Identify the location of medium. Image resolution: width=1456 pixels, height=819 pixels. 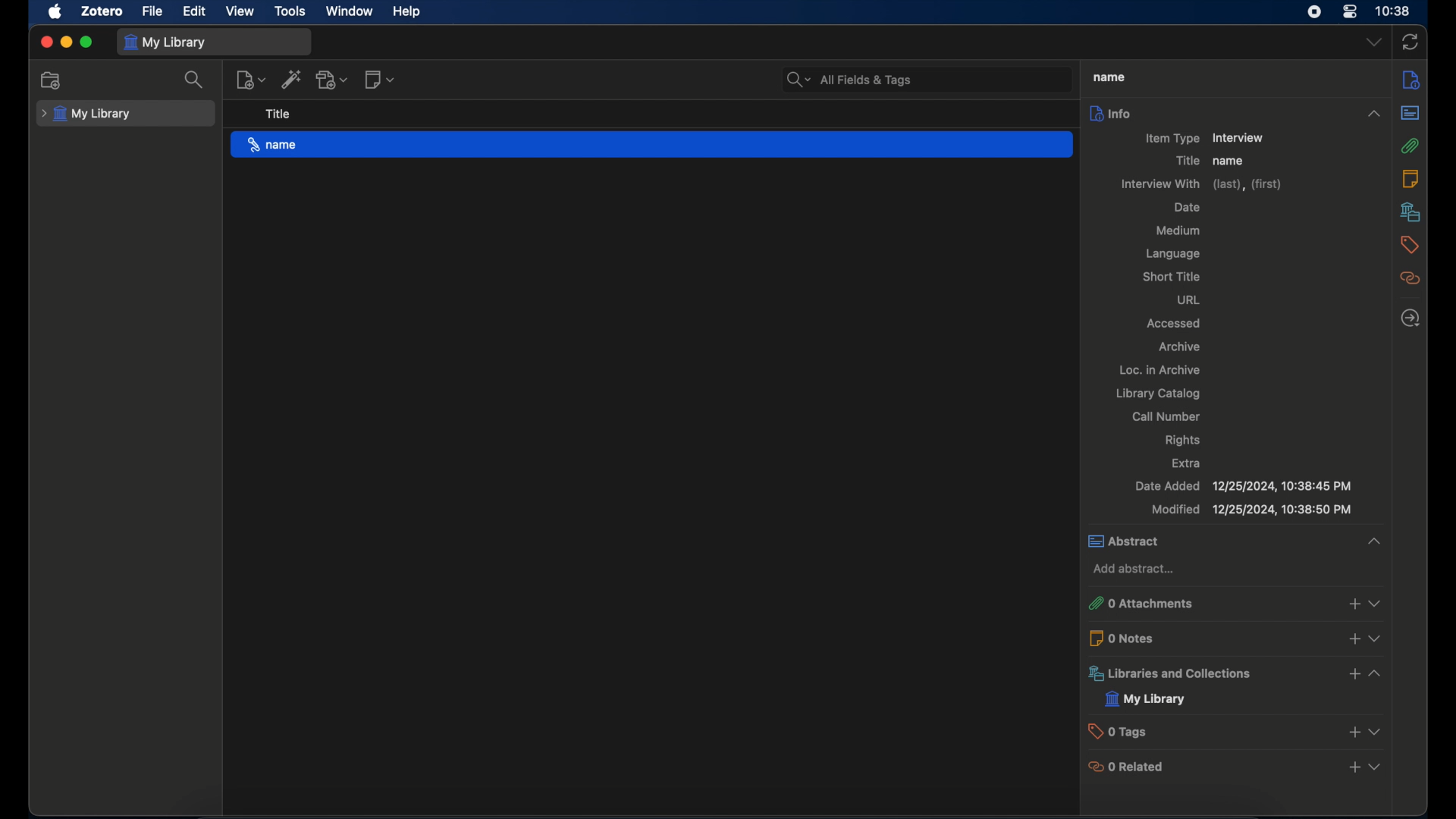
(1178, 231).